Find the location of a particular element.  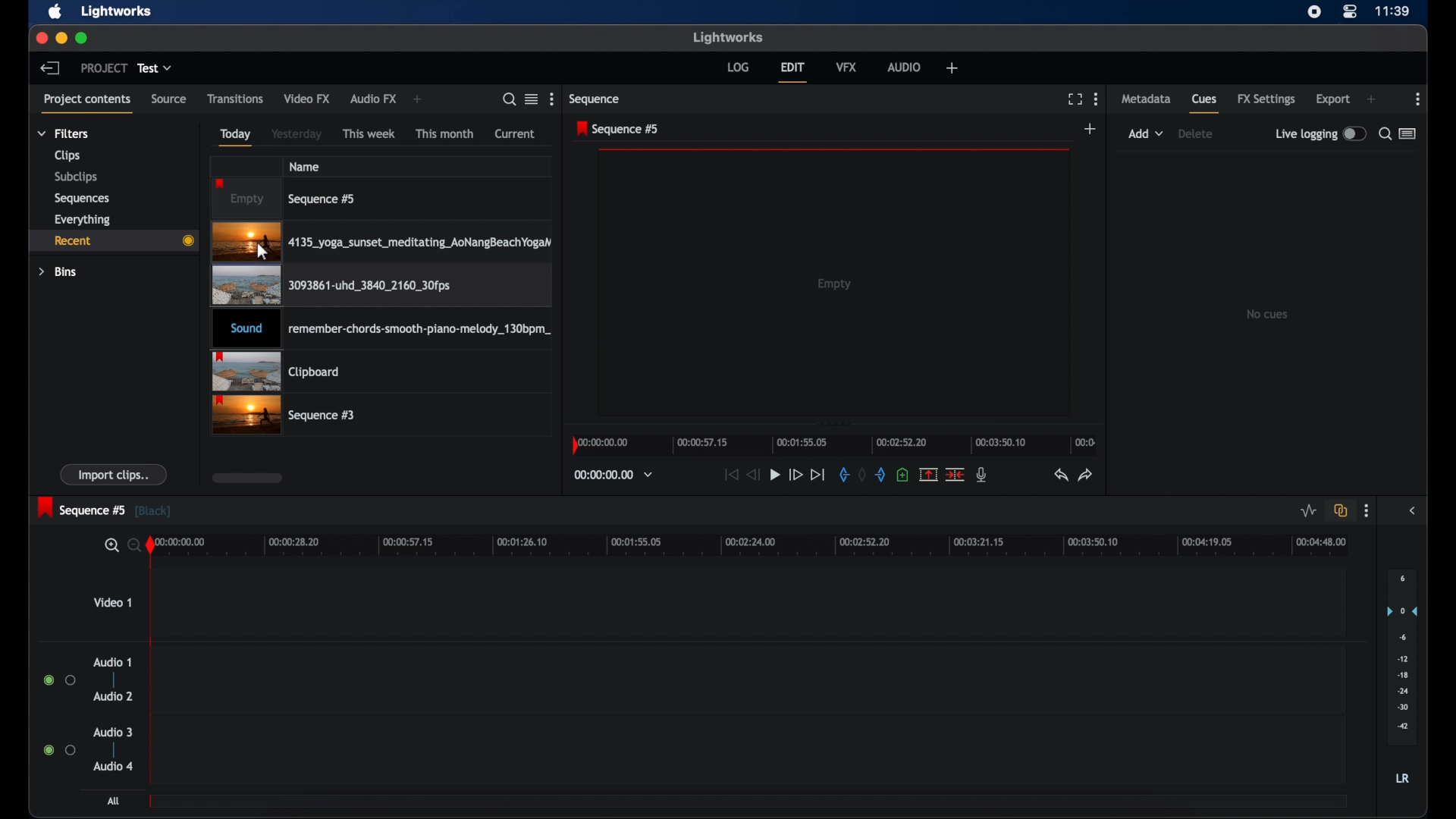

zoom is located at coordinates (120, 546).